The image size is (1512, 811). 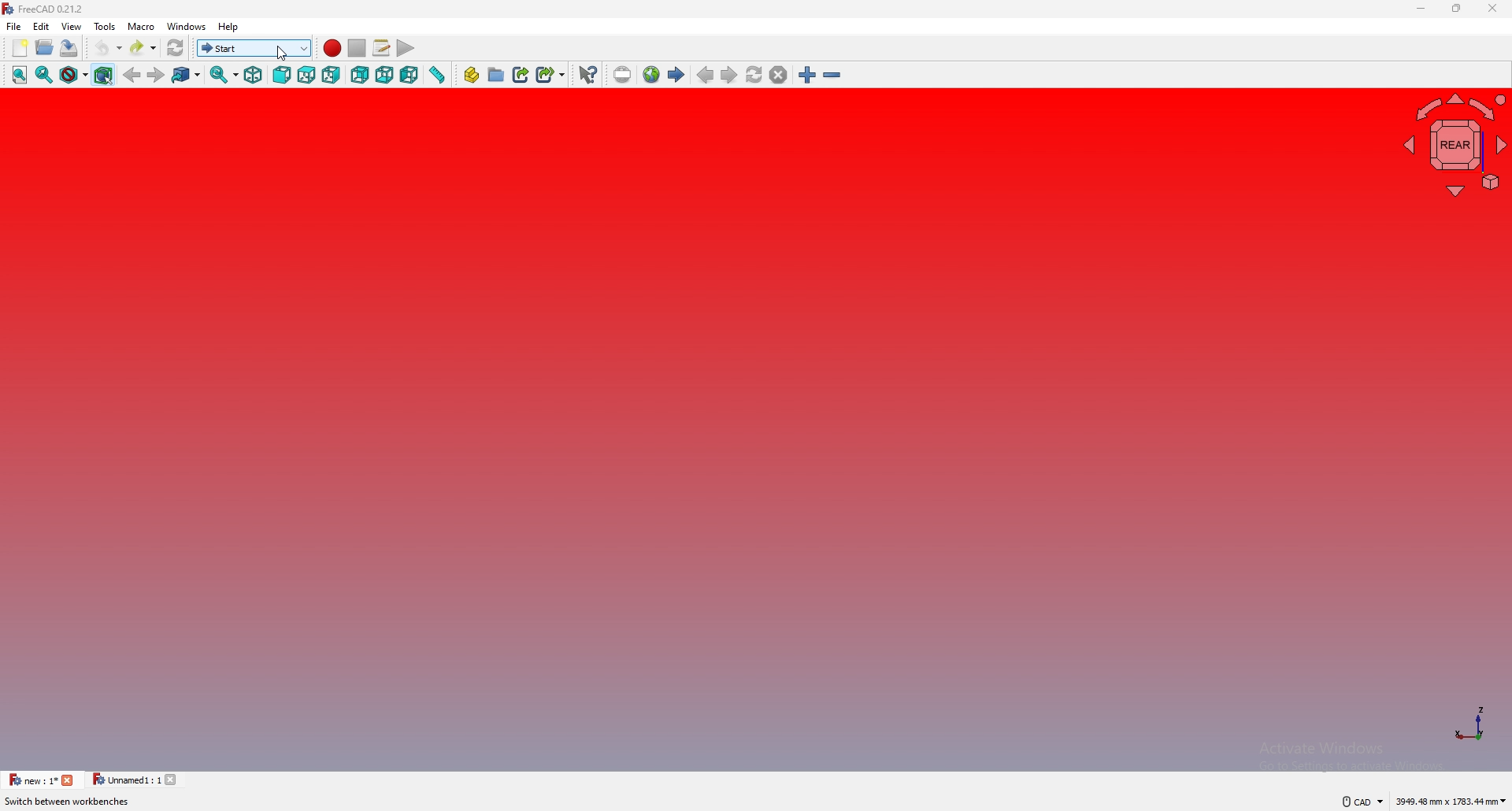 What do you see at coordinates (1452, 799) in the screenshot?
I see `3949.48 mm x 1783.44mm` at bounding box center [1452, 799].